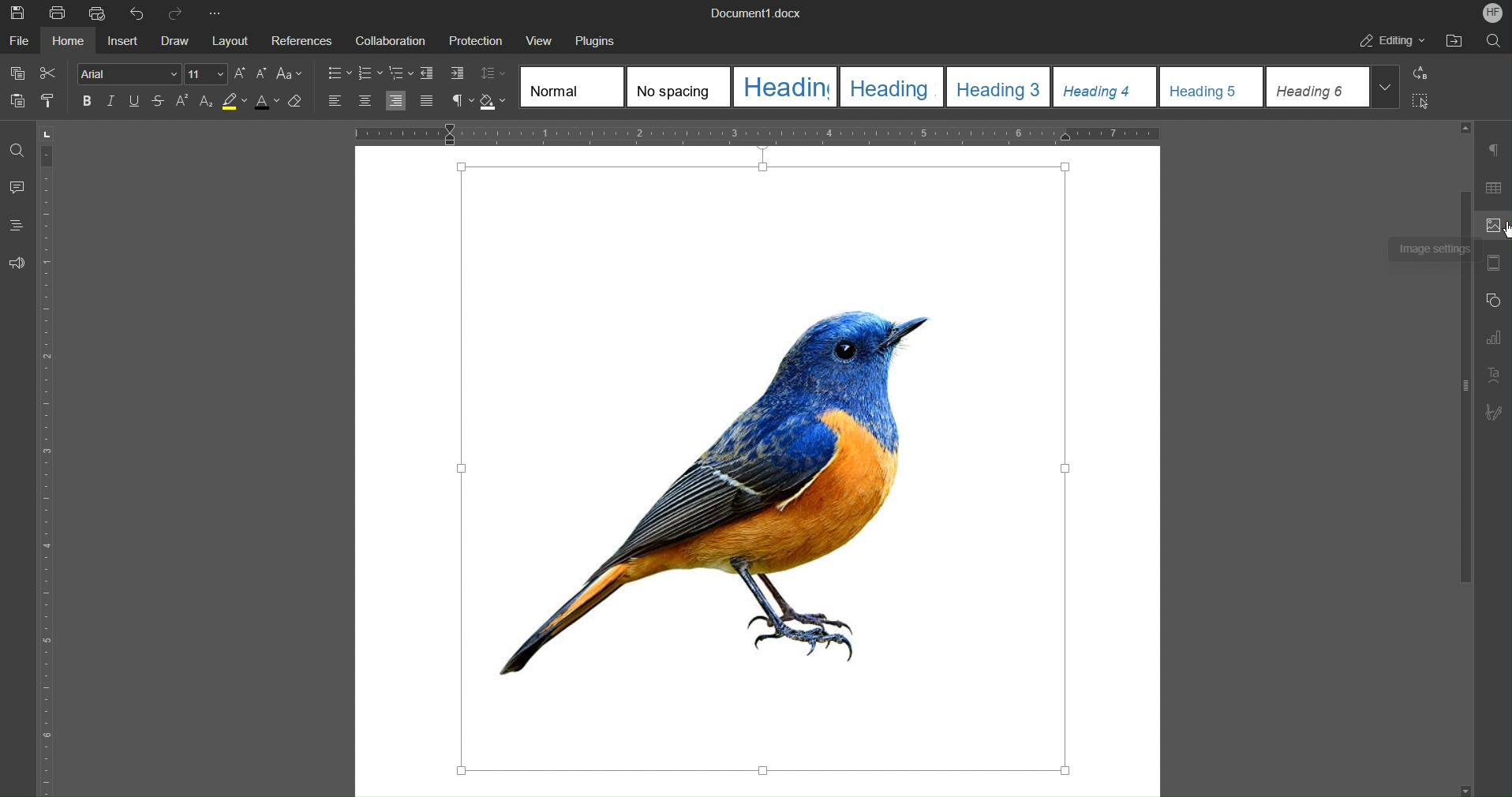 This screenshot has width=1512, height=797. Describe the element at coordinates (240, 73) in the screenshot. I see `Increase Font Size` at that location.